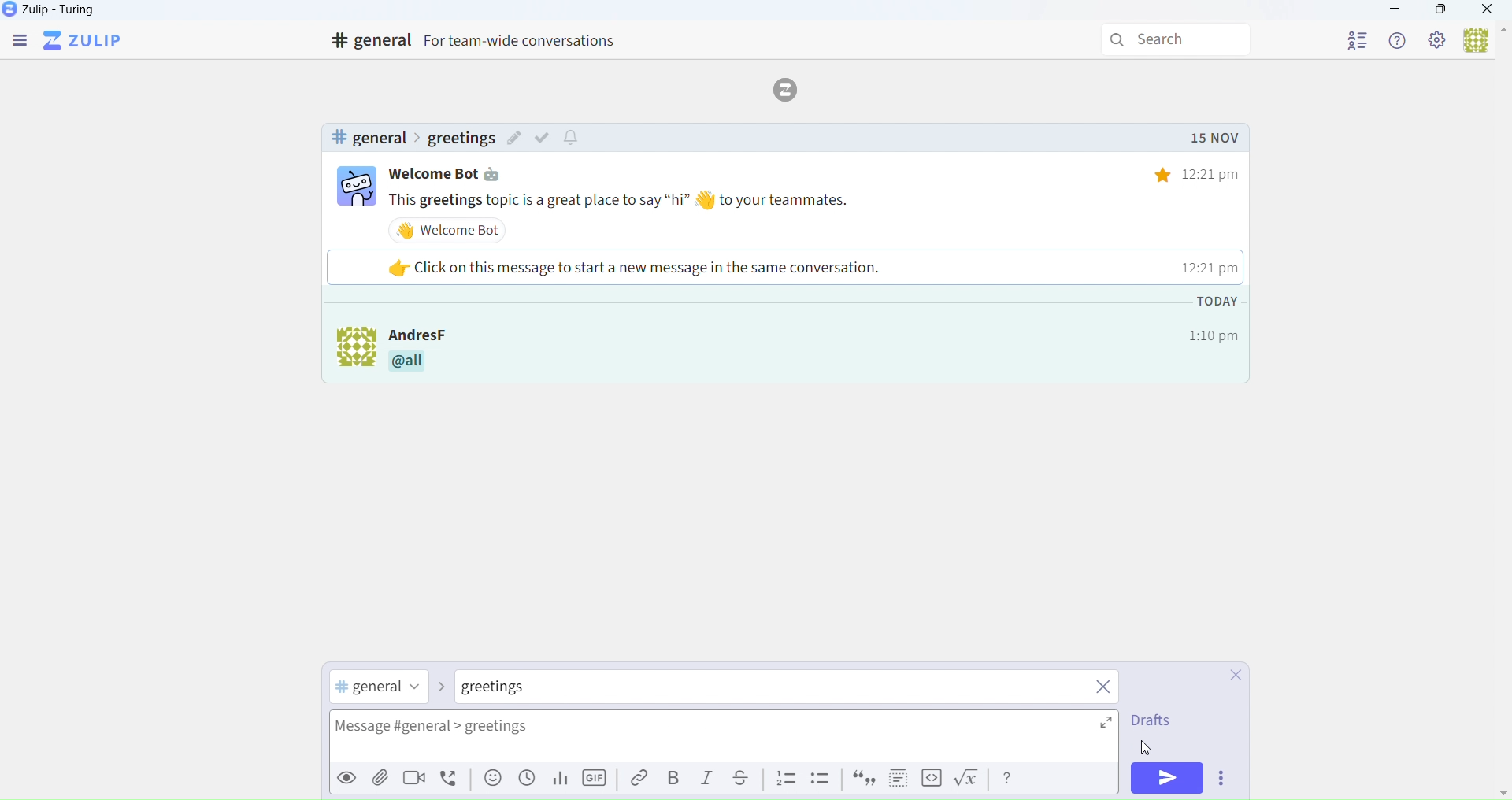  What do you see at coordinates (357, 188) in the screenshot?
I see `image` at bounding box center [357, 188].